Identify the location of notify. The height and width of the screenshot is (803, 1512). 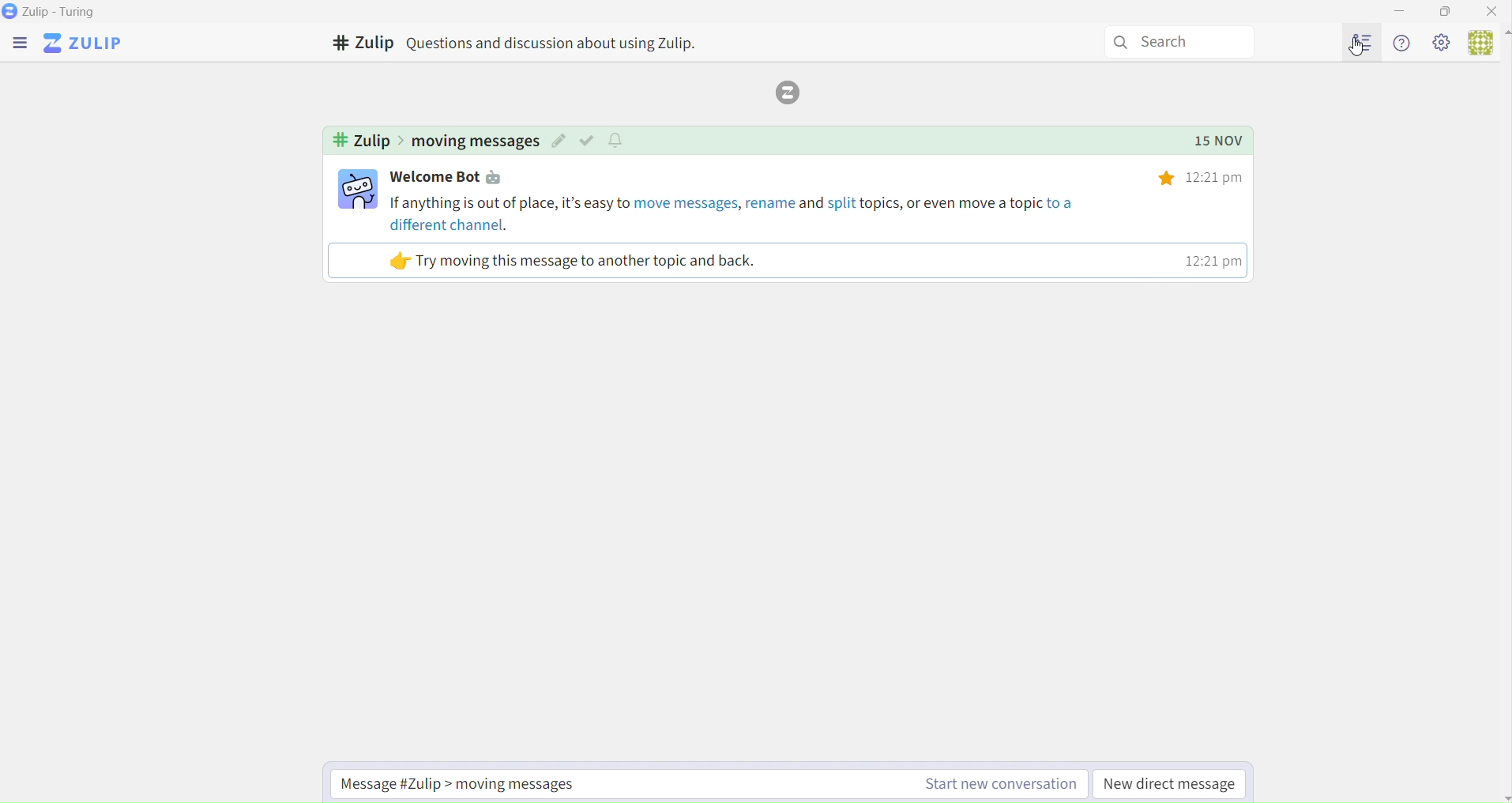
(619, 139).